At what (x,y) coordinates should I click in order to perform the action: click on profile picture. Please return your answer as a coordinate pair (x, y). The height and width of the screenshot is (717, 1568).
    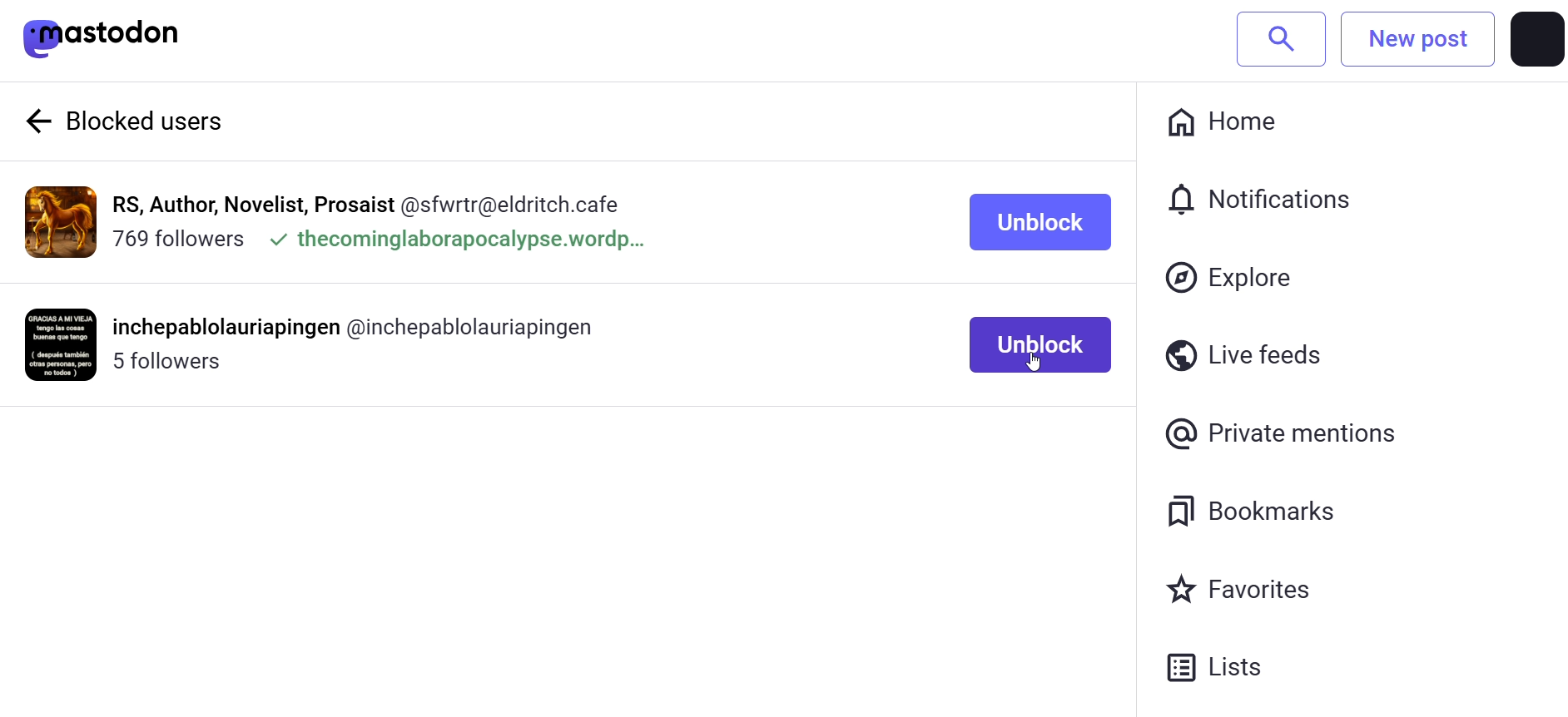
    Looking at the image, I should click on (62, 344).